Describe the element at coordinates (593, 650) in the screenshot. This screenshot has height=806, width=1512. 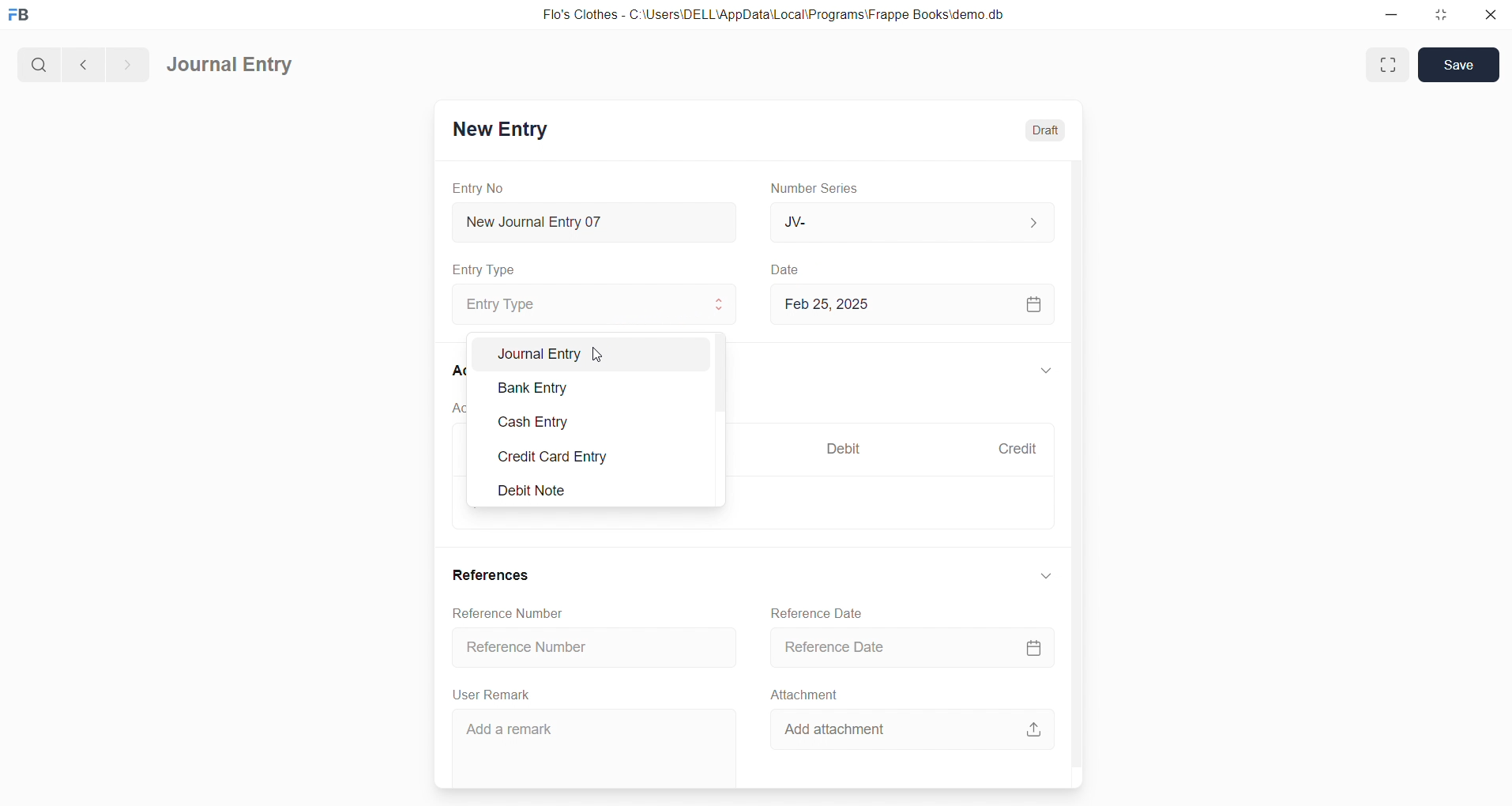
I see `Reference Number` at that location.